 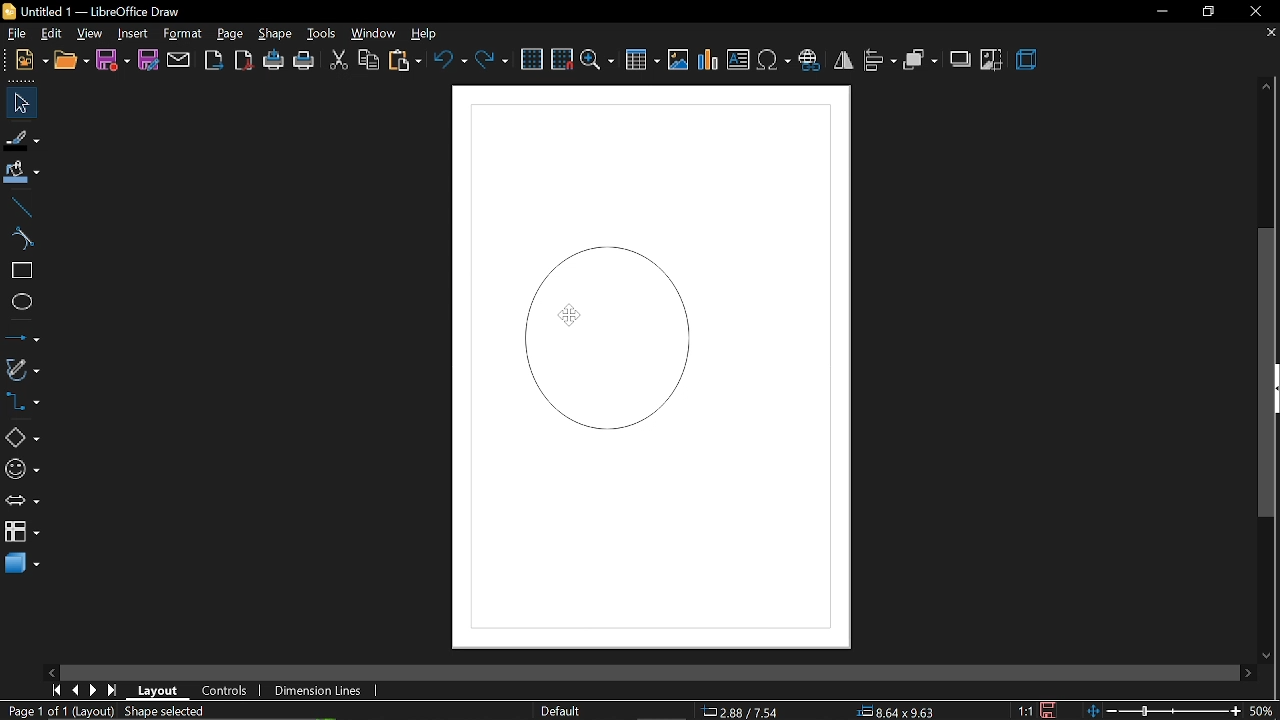 What do you see at coordinates (1052, 709) in the screenshot?
I see `save` at bounding box center [1052, 709].